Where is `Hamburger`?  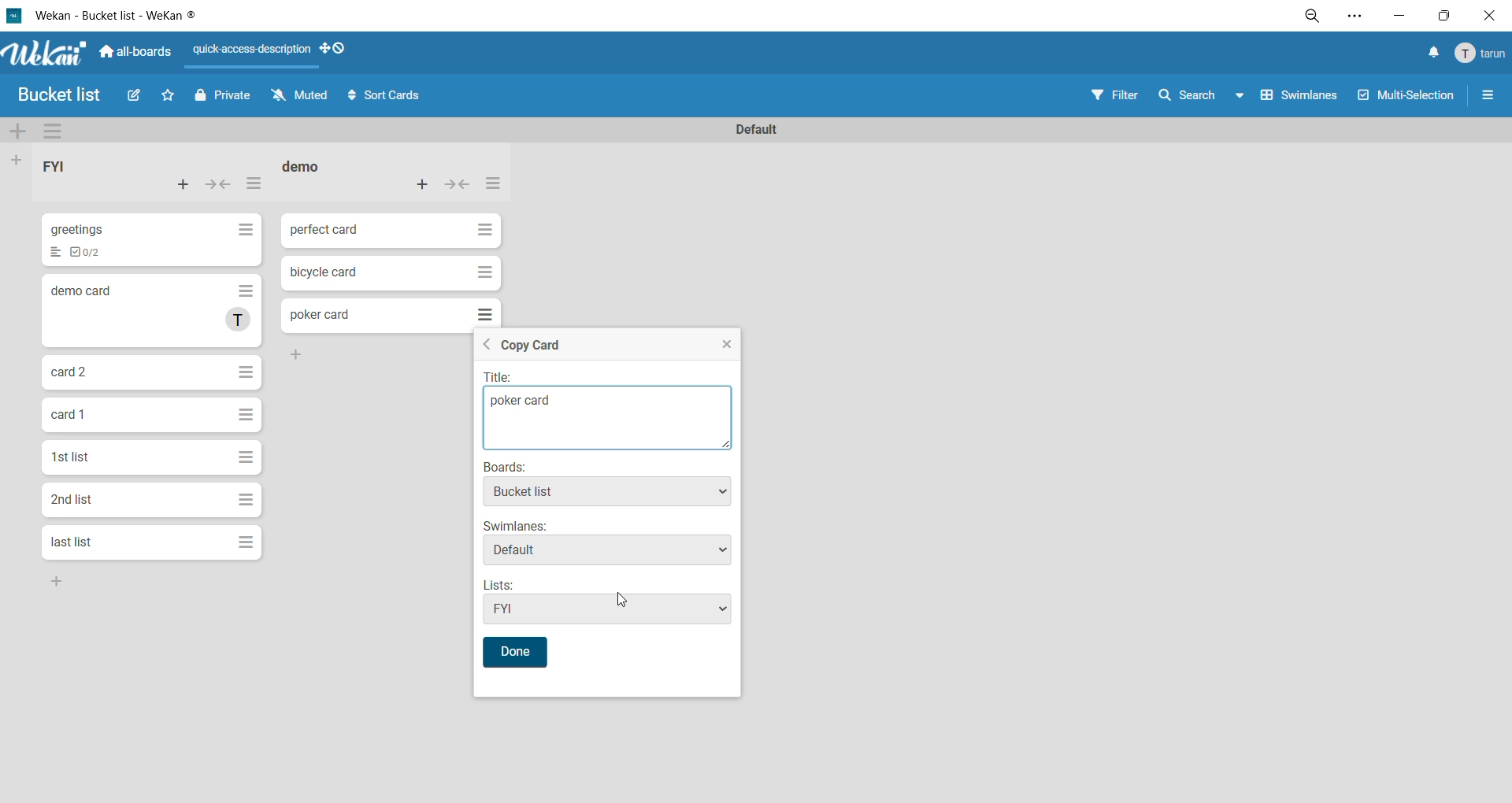 Hamburger is located at coordinates (245, 542).